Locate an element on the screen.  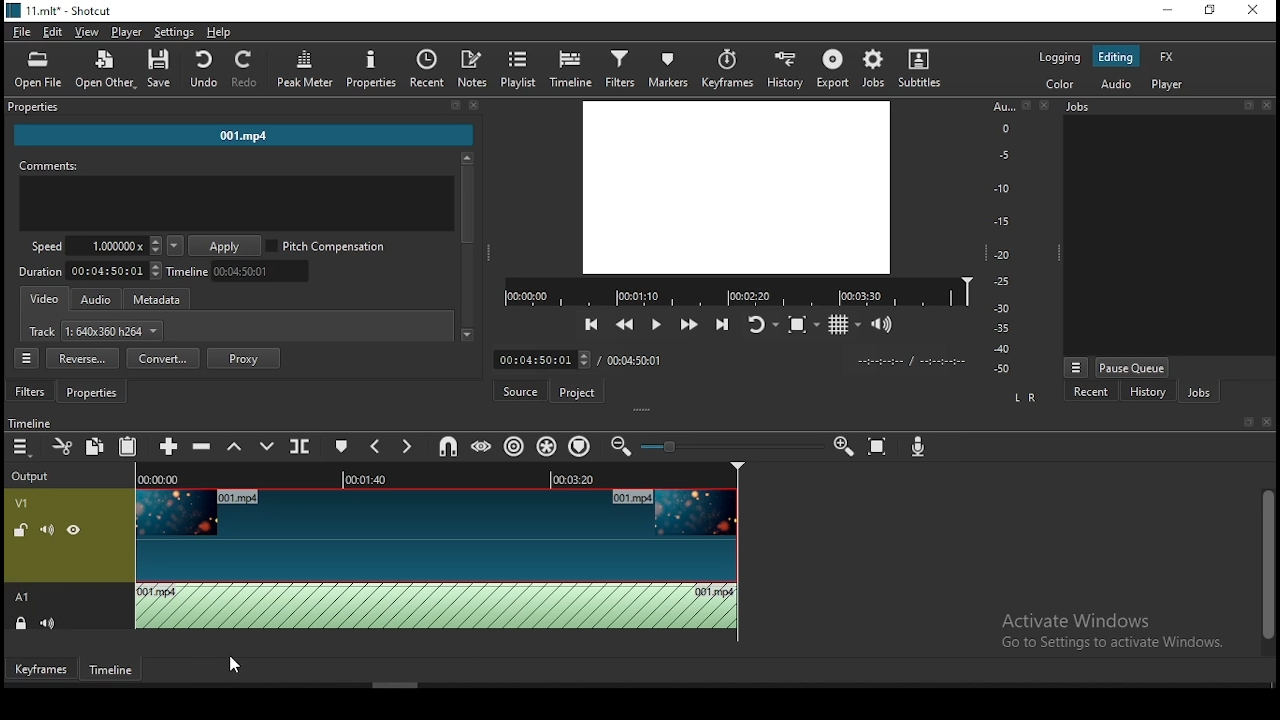
skip to previous point is located at coordinates (589, 323).